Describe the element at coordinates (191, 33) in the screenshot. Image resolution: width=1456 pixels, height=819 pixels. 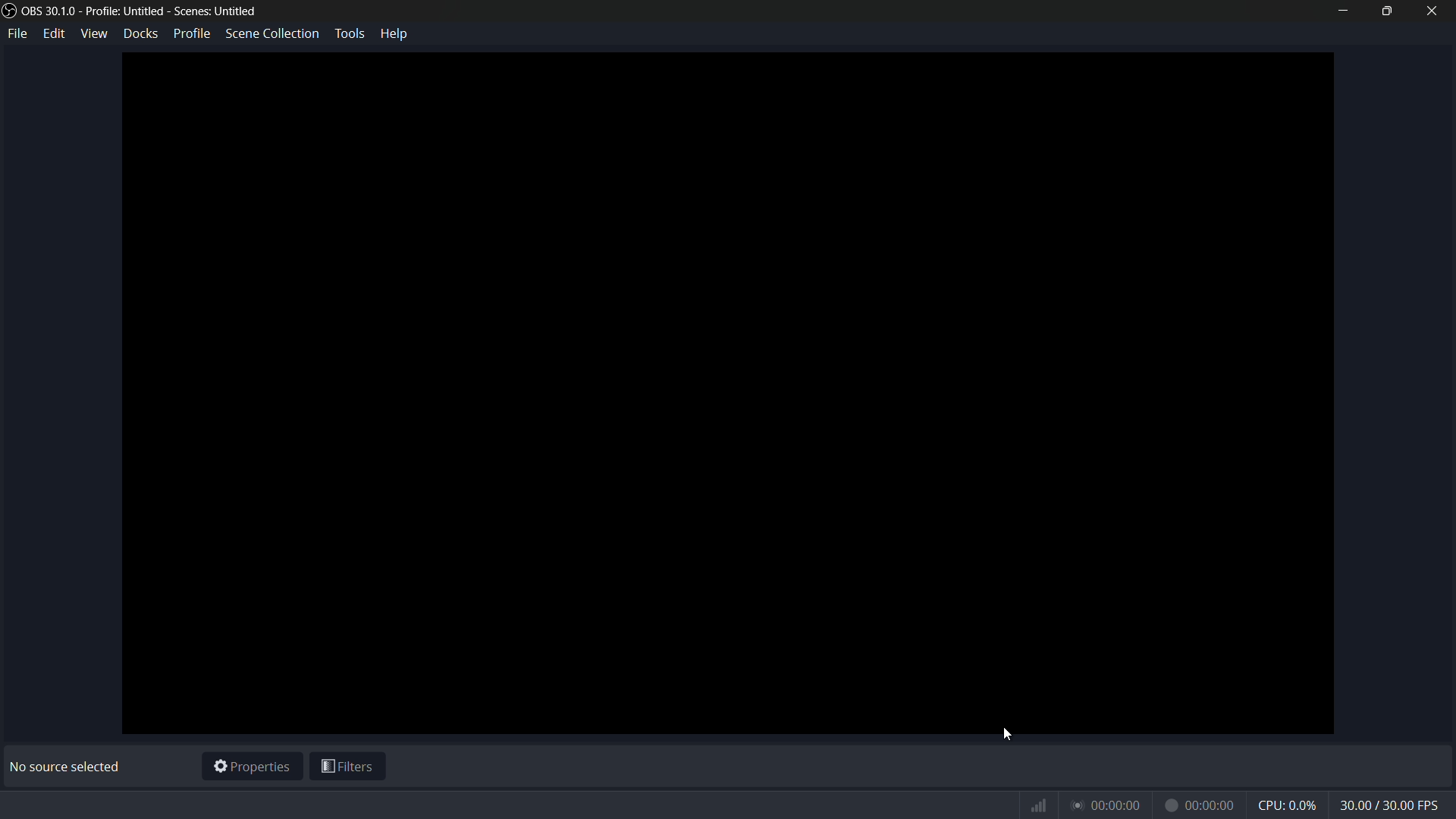
I see `profile menu` at that location.